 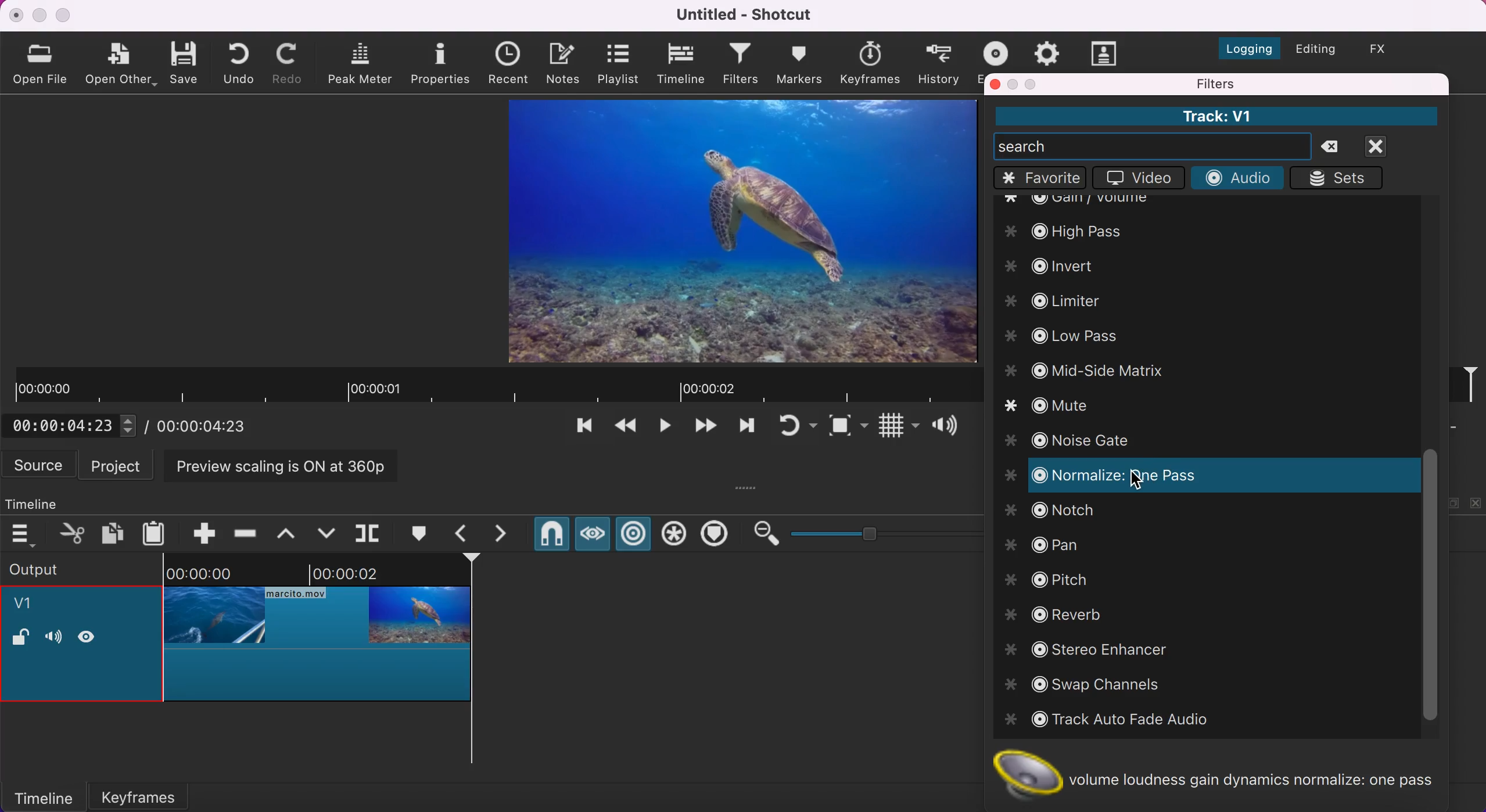 What do you see at coordinates (26, 534) in the screenshot?
I see `timeline menu` at bounding box center [26, 534].